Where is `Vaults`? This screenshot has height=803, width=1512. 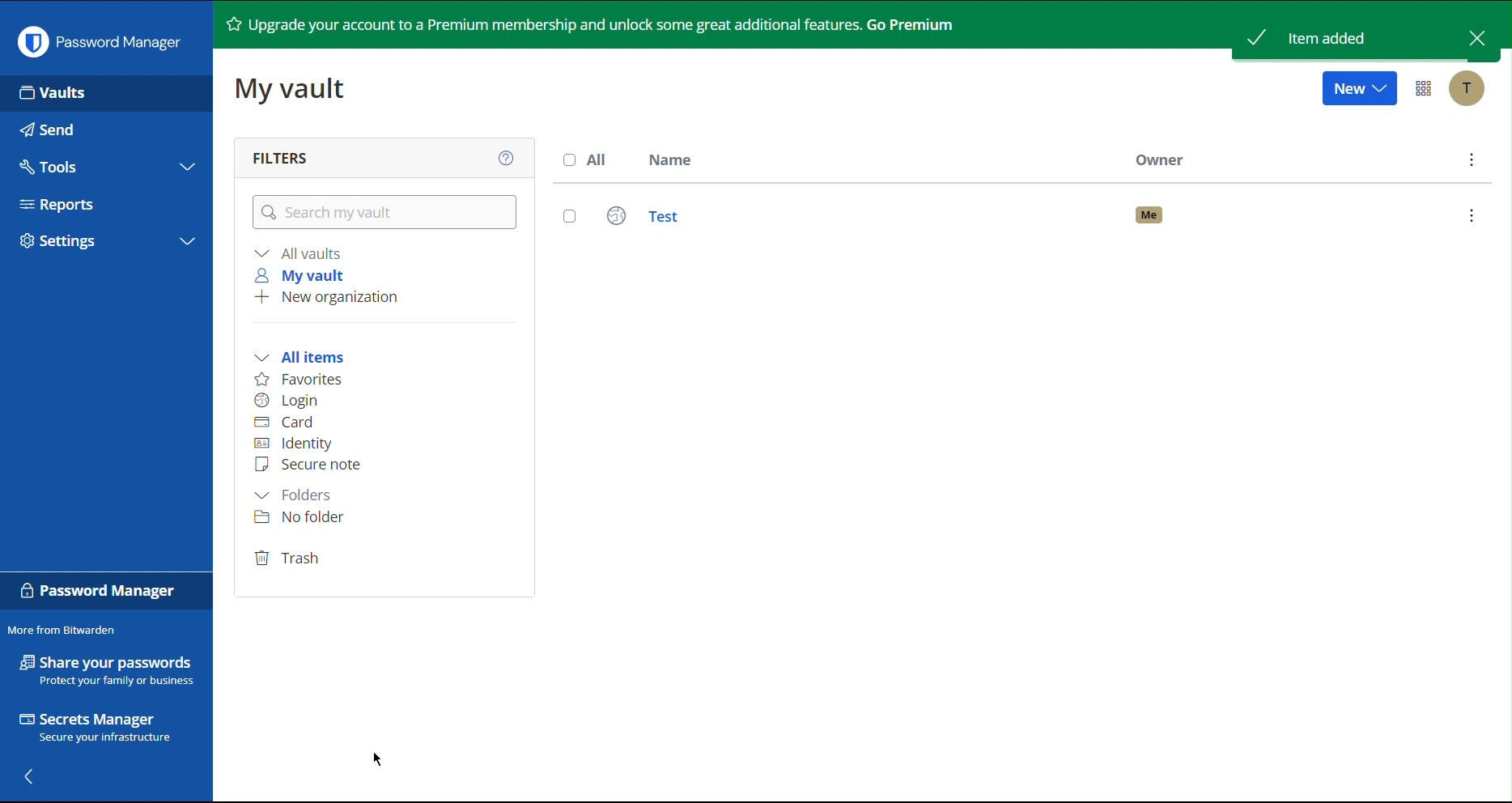 Vaults is located at coordinates (105, 91).